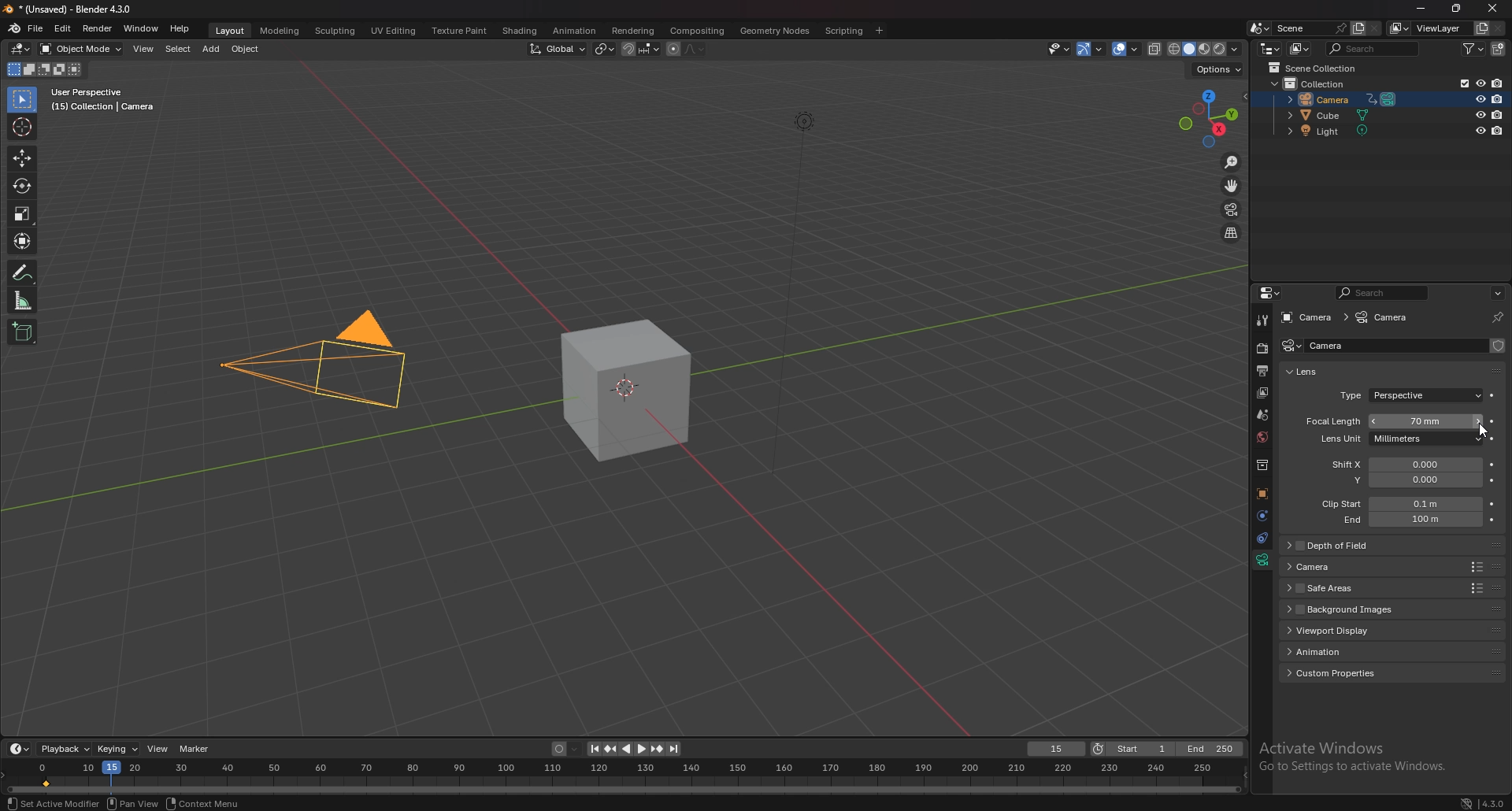  What do you see at coordinates (557, 49) in the screenshot?
I see `transform orientation` at bounding box center [557, 49].